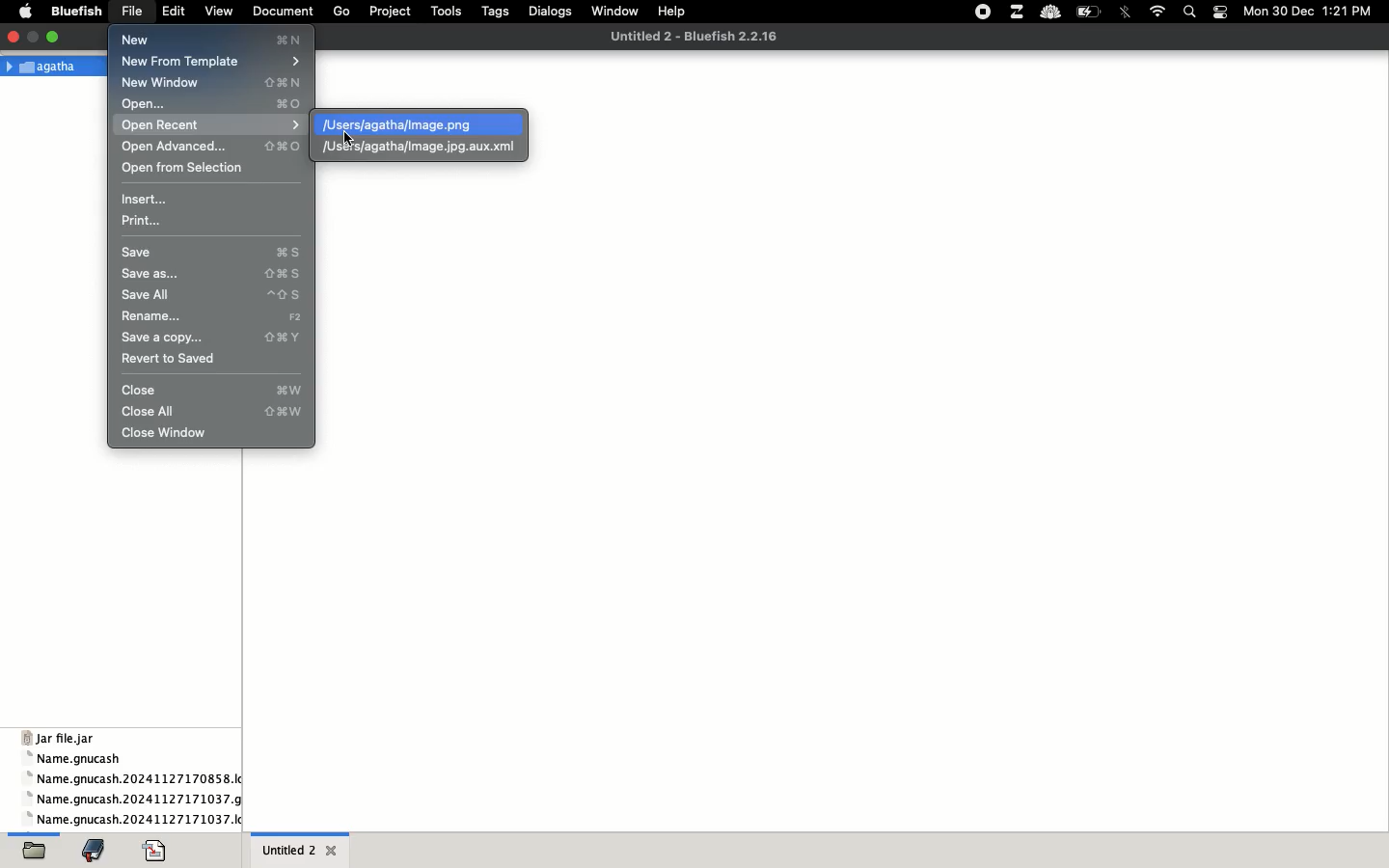 The width and height of the screenshot is (1389, 868). What do you see at coordinates (169, 357) in the screenshot?
I see `revert to saved` at bounding box center [169, 357].